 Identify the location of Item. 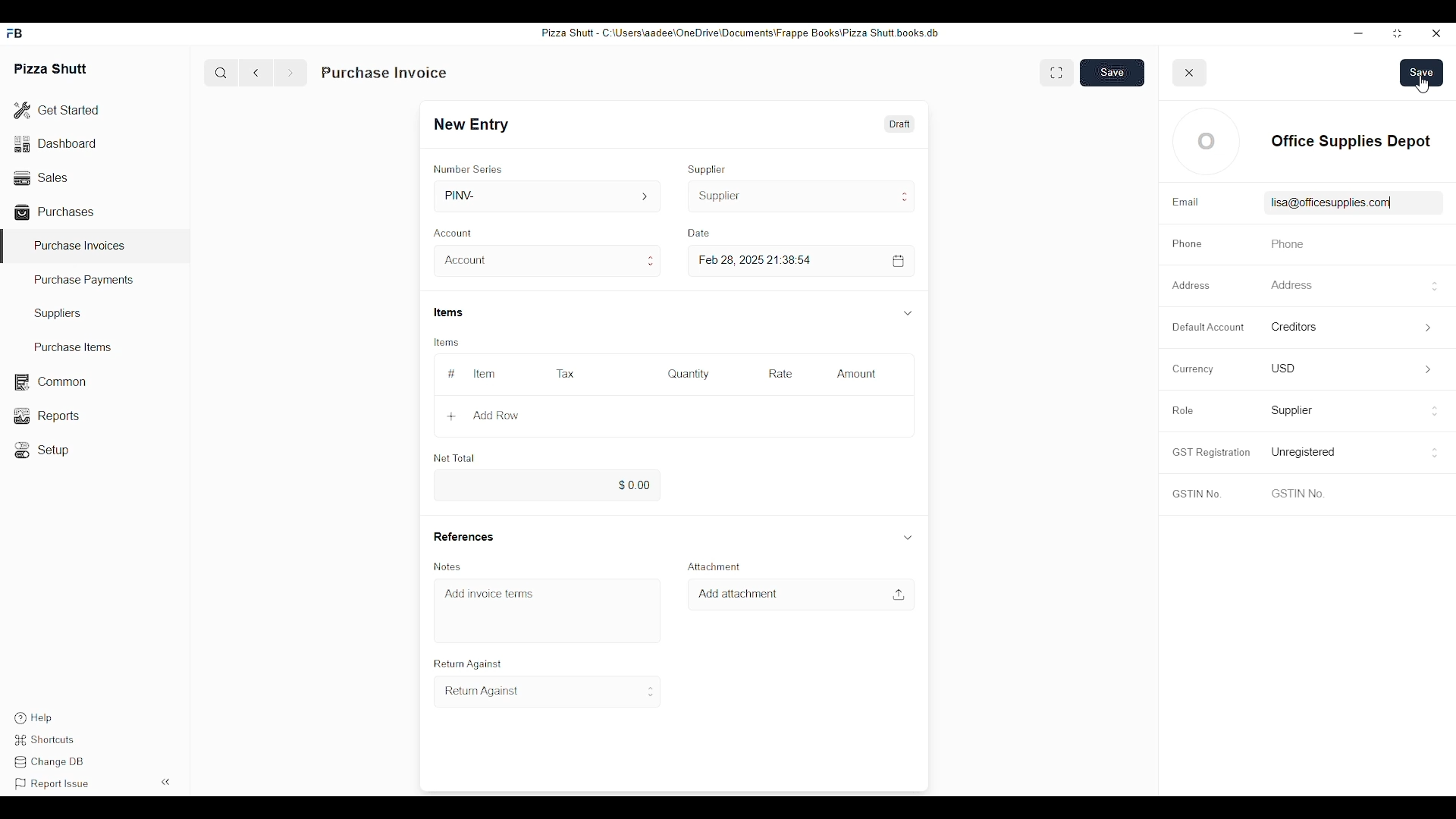
(485, 374).